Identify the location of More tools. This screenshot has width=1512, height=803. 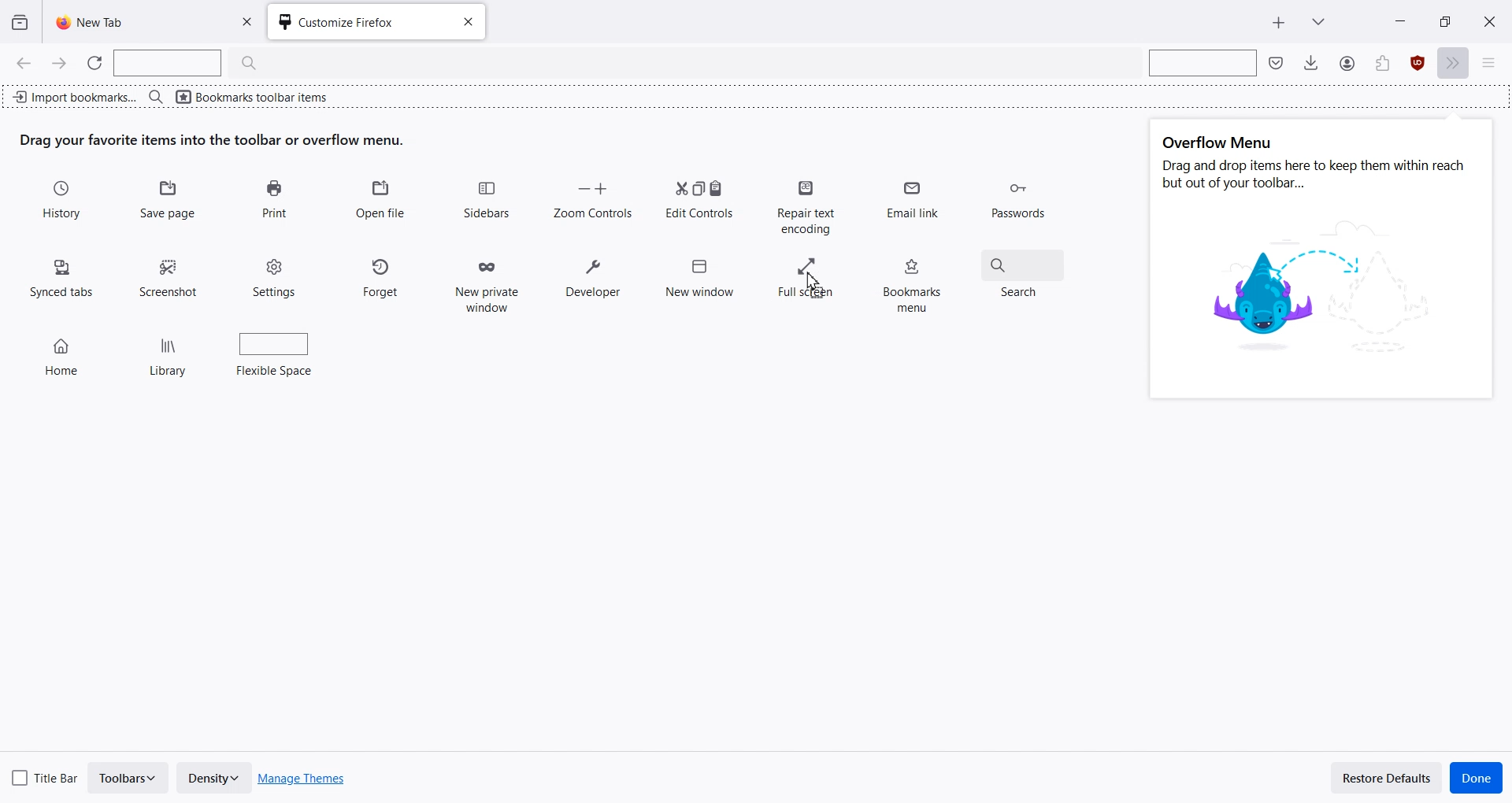
(1456, 64).